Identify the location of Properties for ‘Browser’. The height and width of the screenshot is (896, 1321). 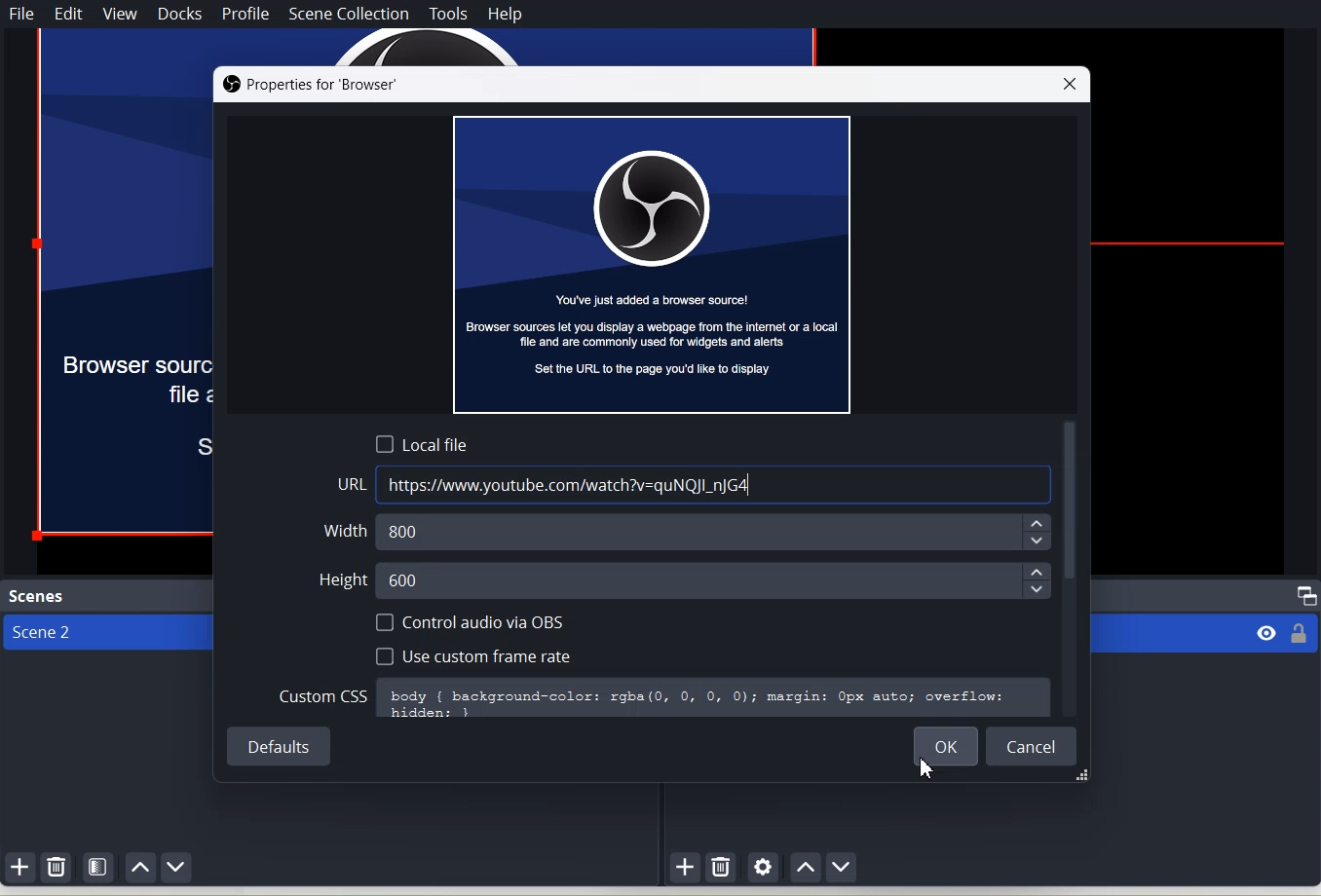
(316, 85).